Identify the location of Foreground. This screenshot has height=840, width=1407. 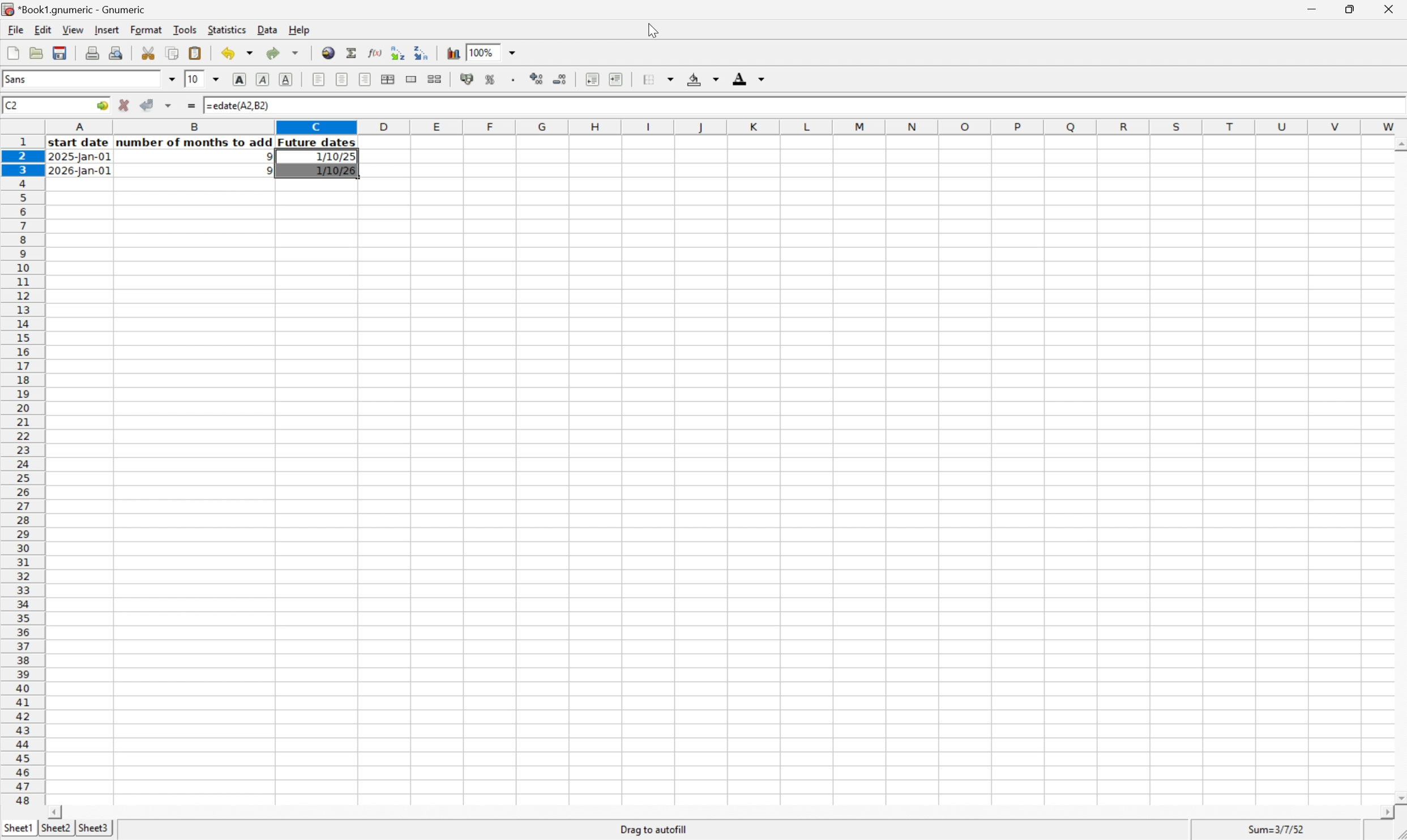
(750, 78).